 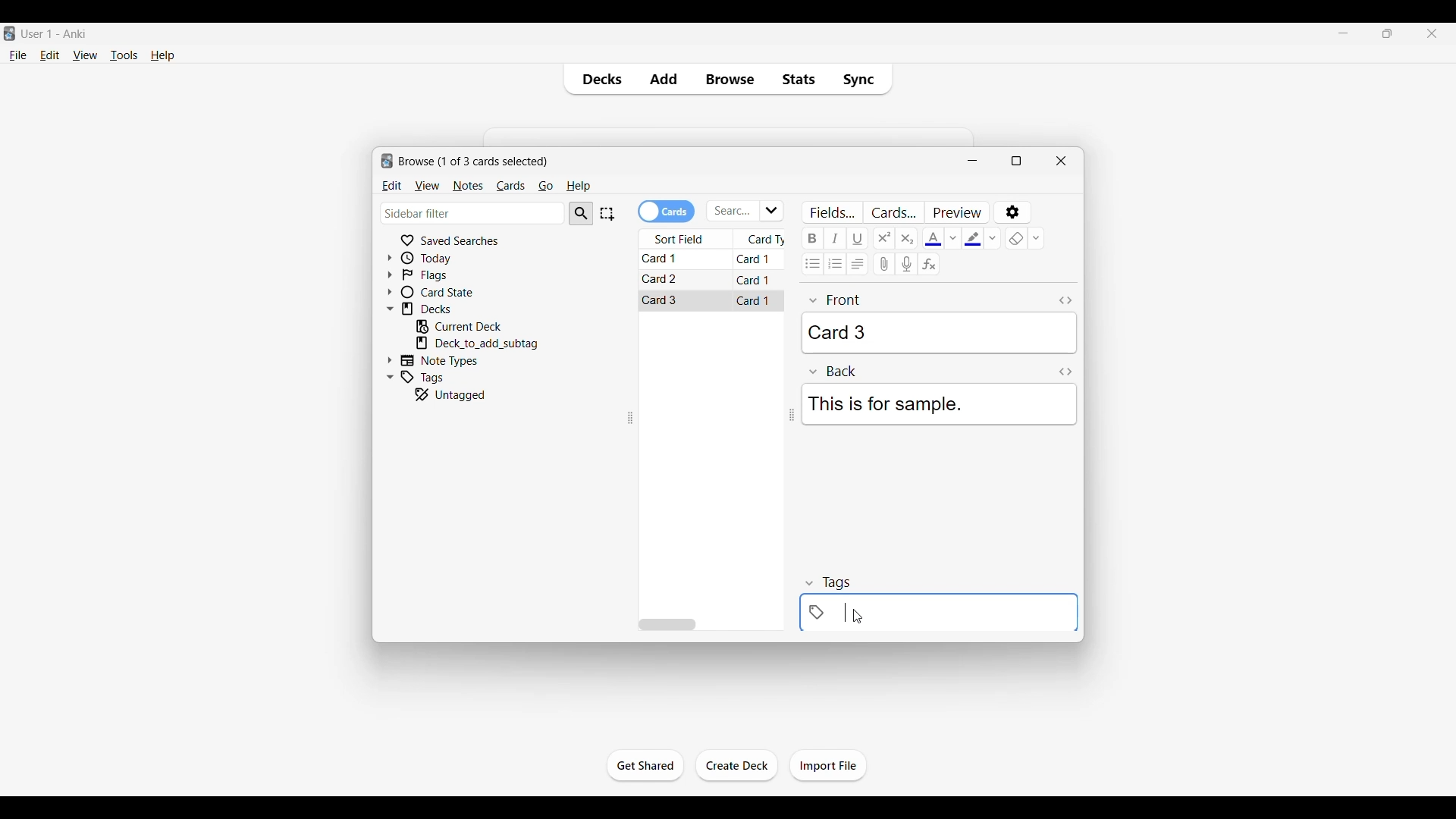 I want to click on Sync, so click(x=862, y=79).